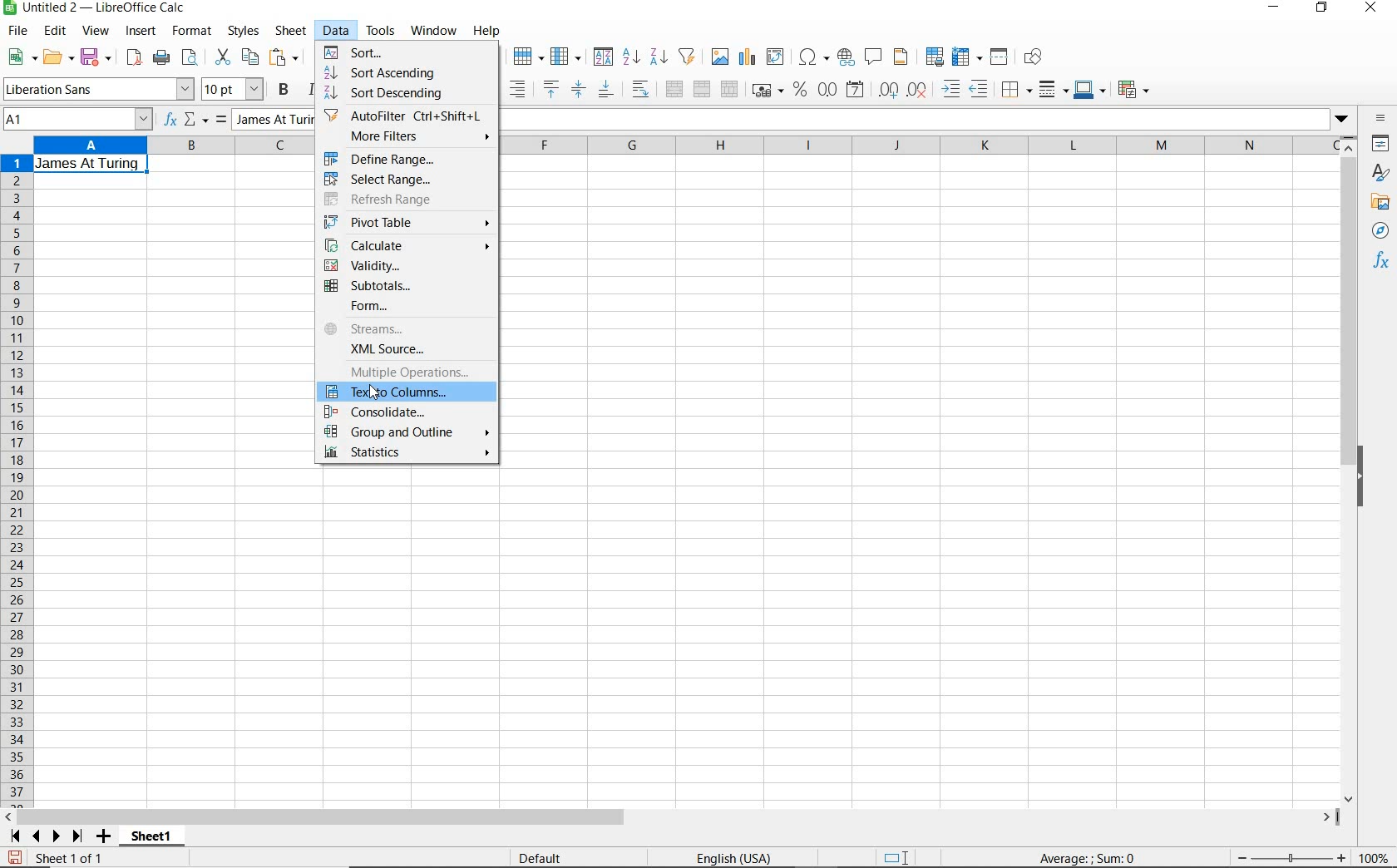 The height and width of the screenshot is (868, 1397). What do you see at coordinates (1054, 89) in the screenshot?
I see `border style` at bounding box center [1054, 89].